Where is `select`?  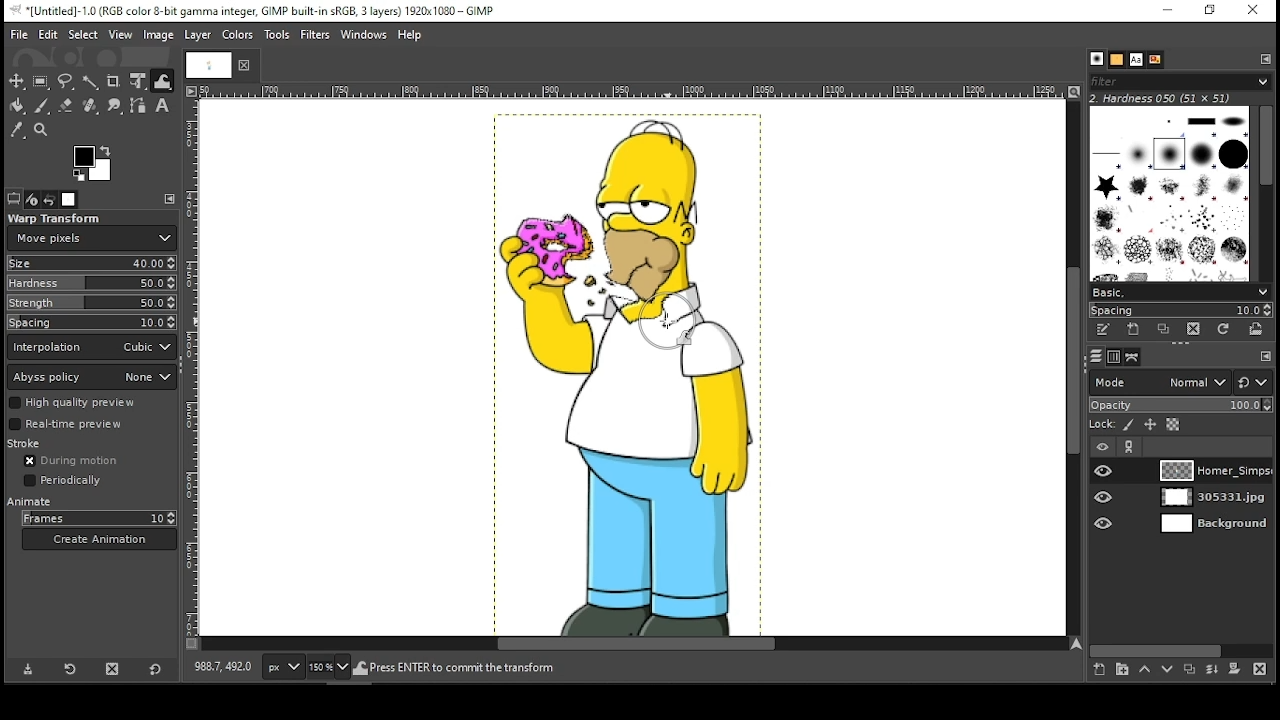 select is located at coordinates (84, 34).